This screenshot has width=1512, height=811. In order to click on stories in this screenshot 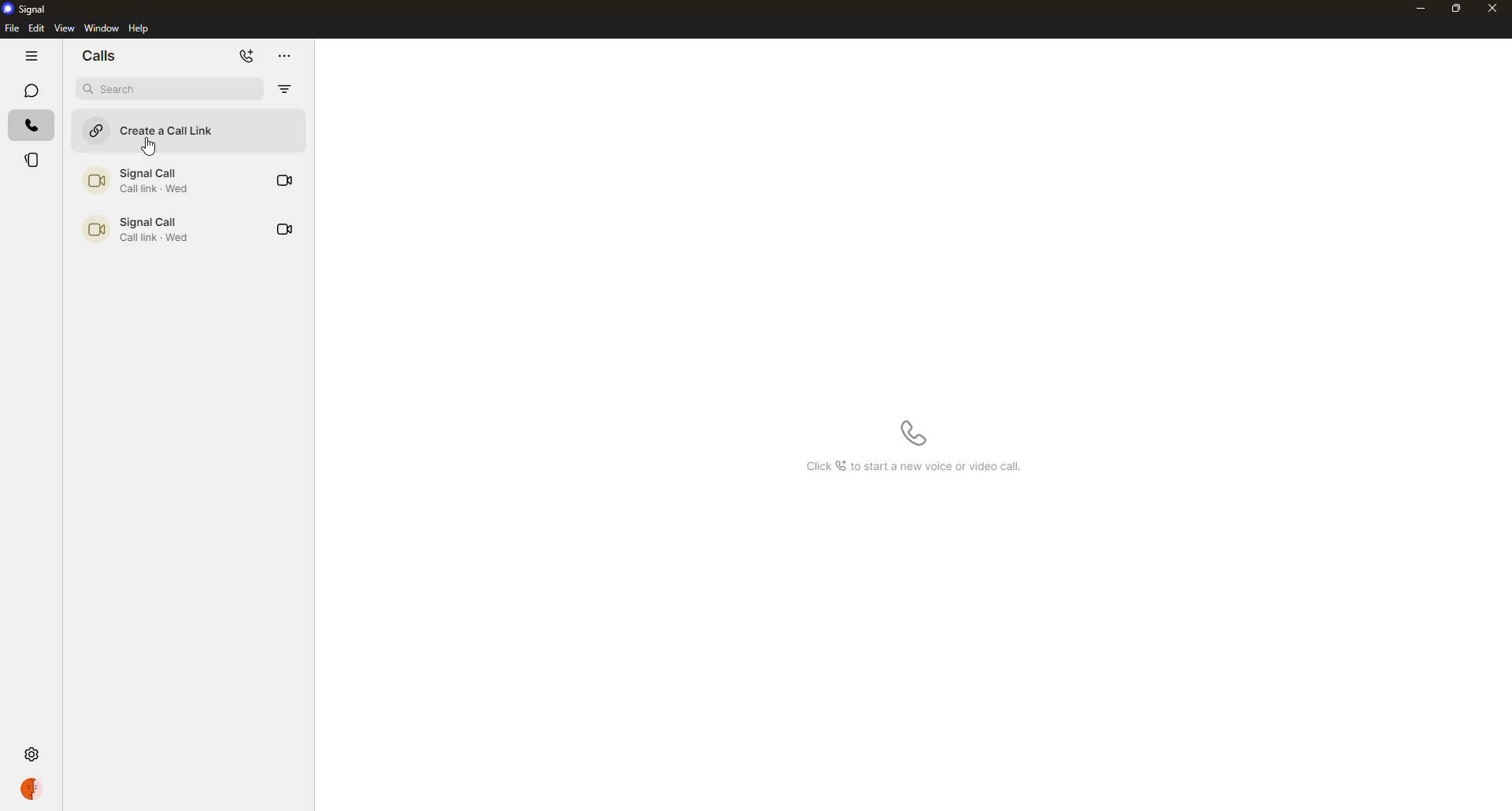, I will do `click(33, 161)`.